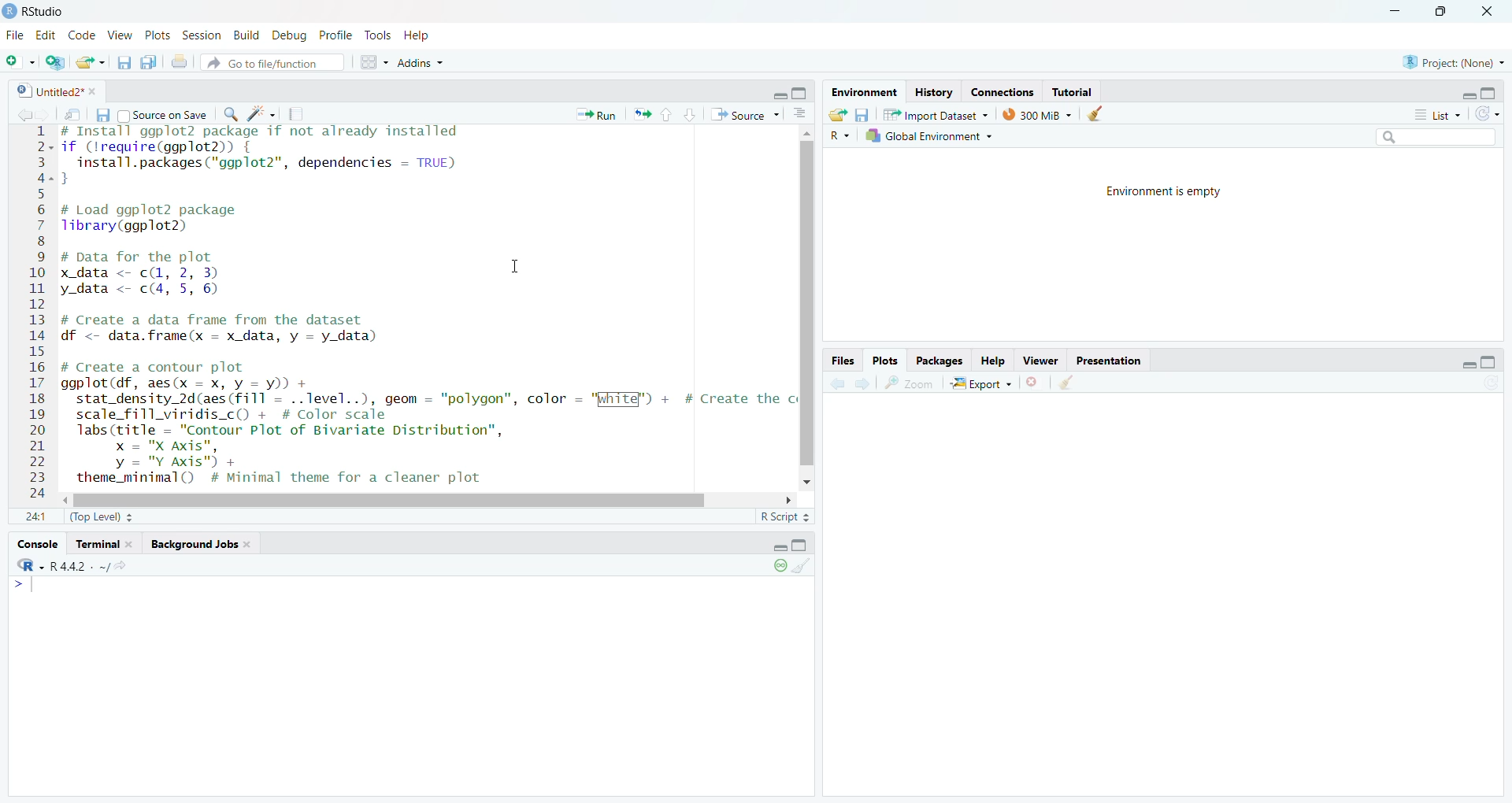 The height and width of the screenshot is (803, 1512). Describe the element at coordinates (72, 116) in the screenshot. I see `show in new window` at that location.